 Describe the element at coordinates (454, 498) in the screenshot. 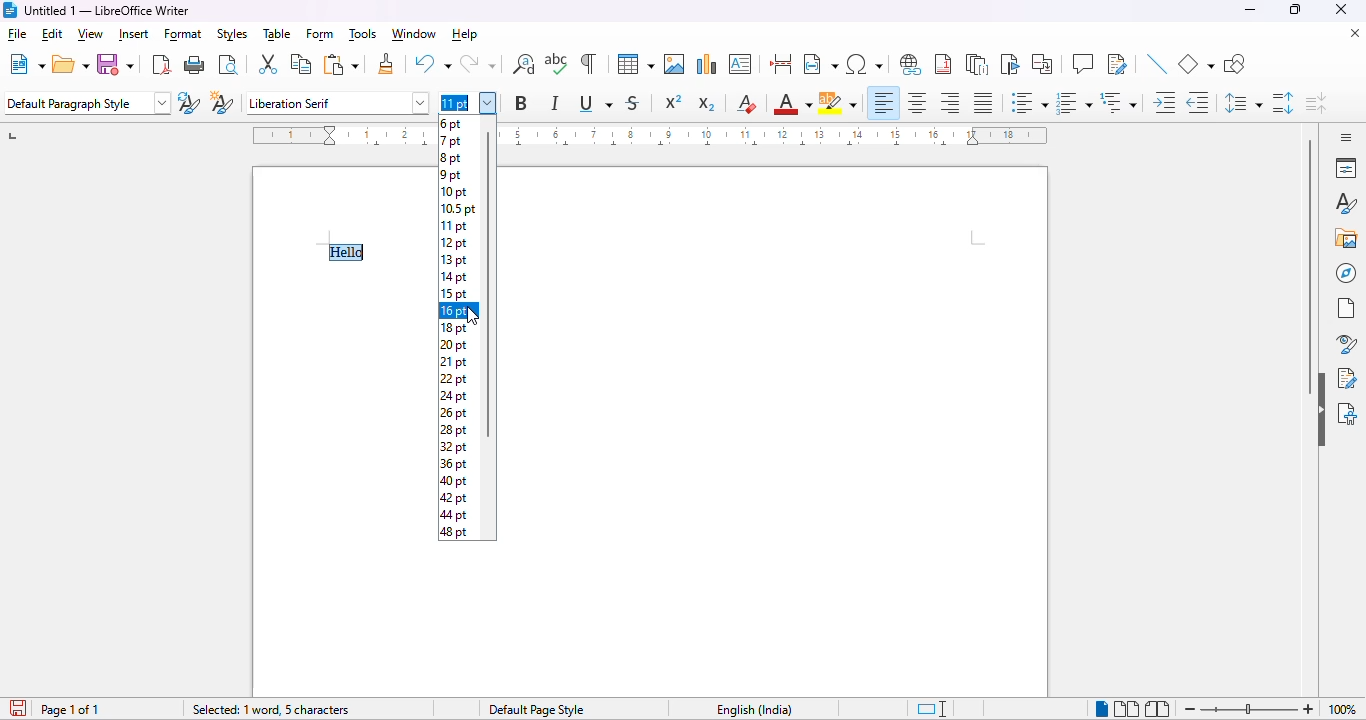

I see `42 pt` at that location.